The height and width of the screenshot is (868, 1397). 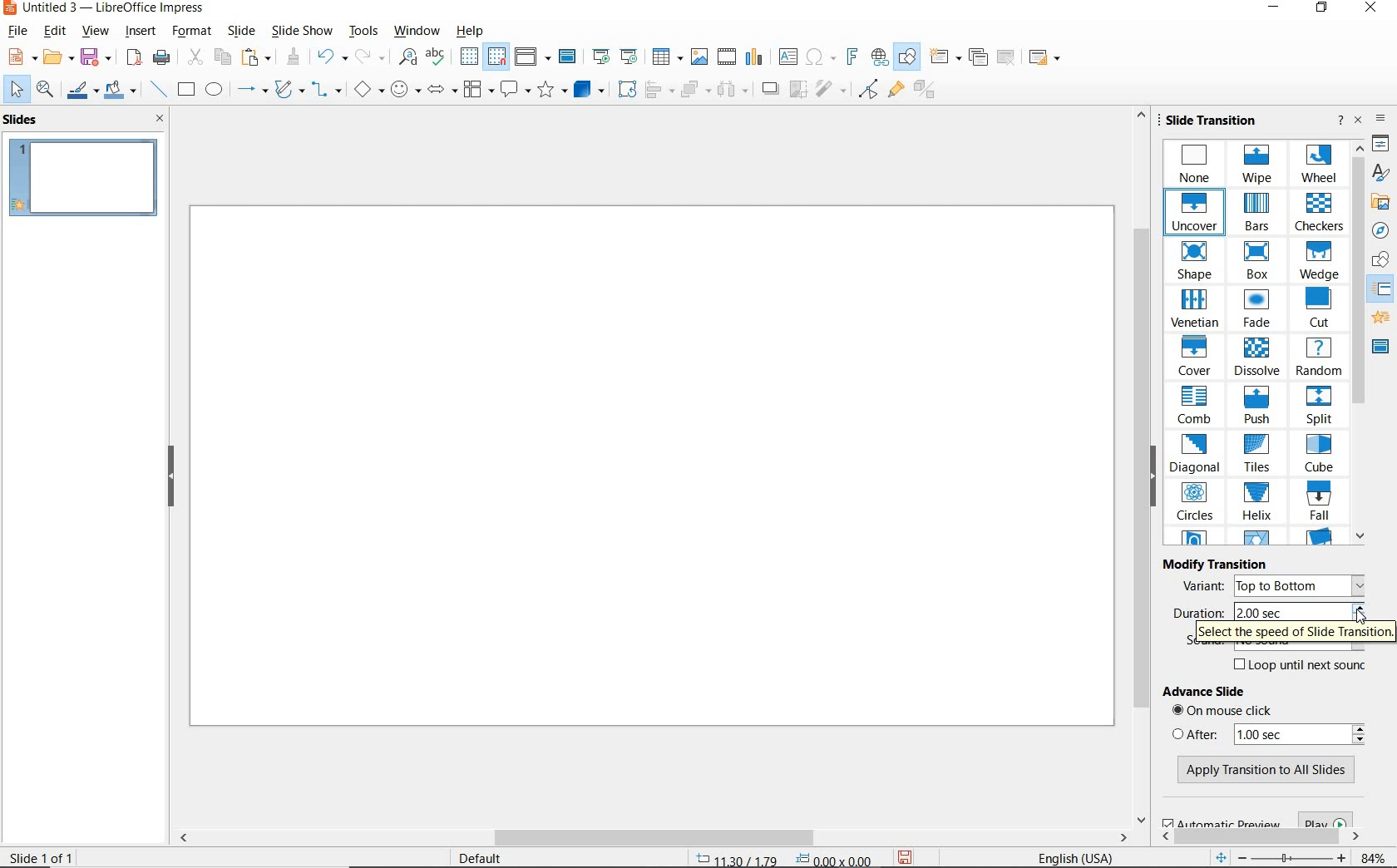 What do you see at coordinates (303, 31) in the screenshot?
I see `SLIDE SHOW` at bounding box center [303, 31].